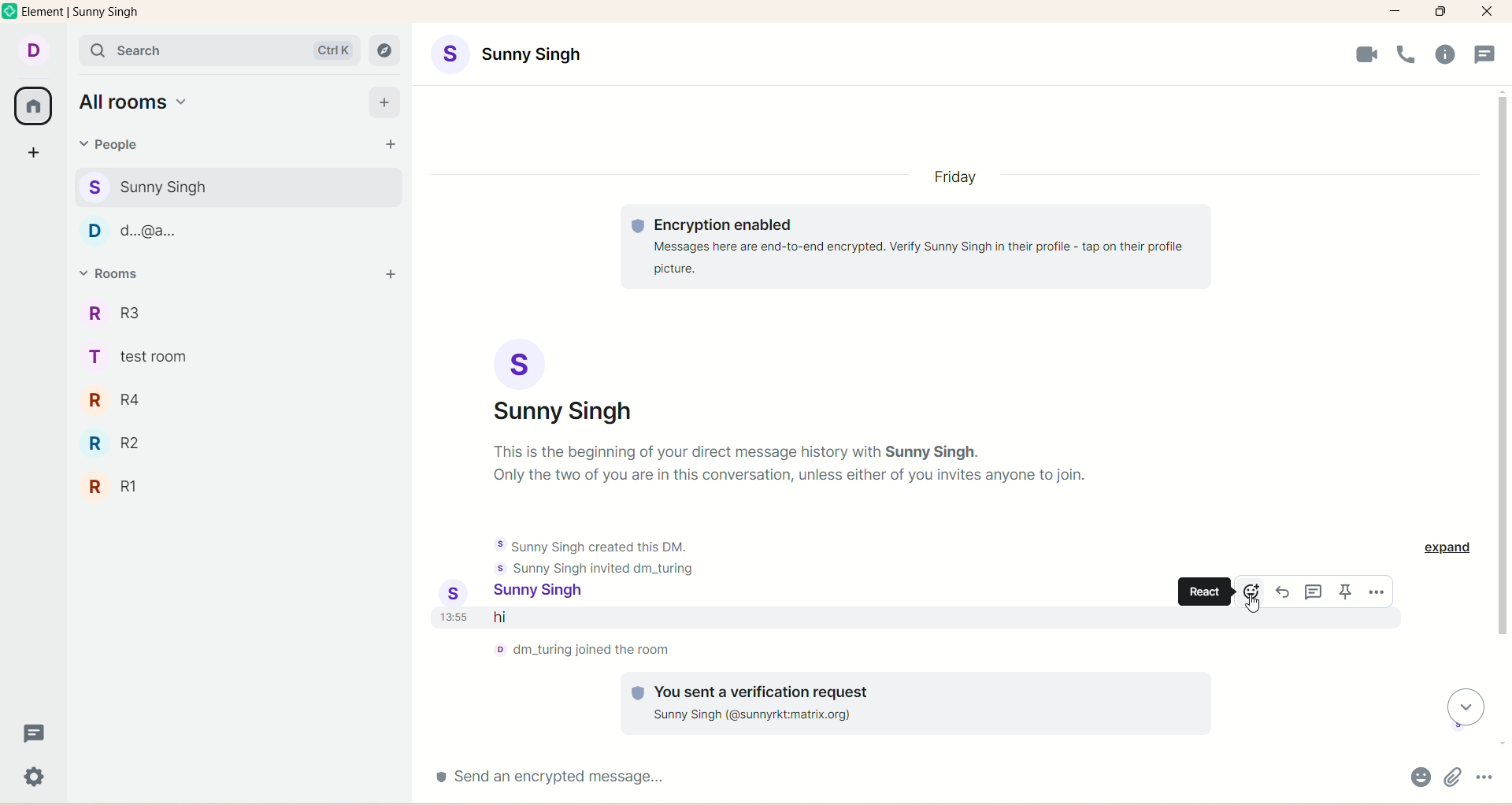 The width and height of the screenshot is (1512, 805). Describe the element at coordinates (916, 246) in the screenshot. I see `text` at that location.